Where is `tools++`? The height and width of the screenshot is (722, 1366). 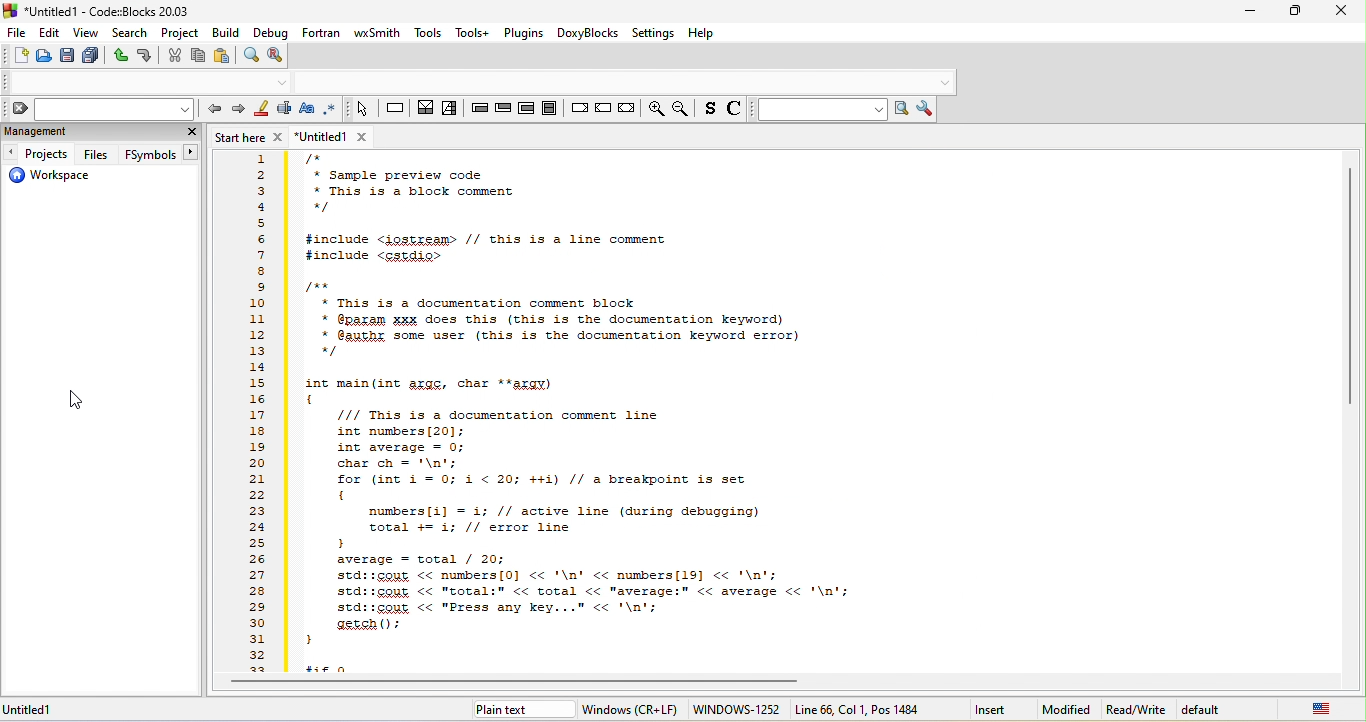
tools++ is located at coordinates (475, 32).